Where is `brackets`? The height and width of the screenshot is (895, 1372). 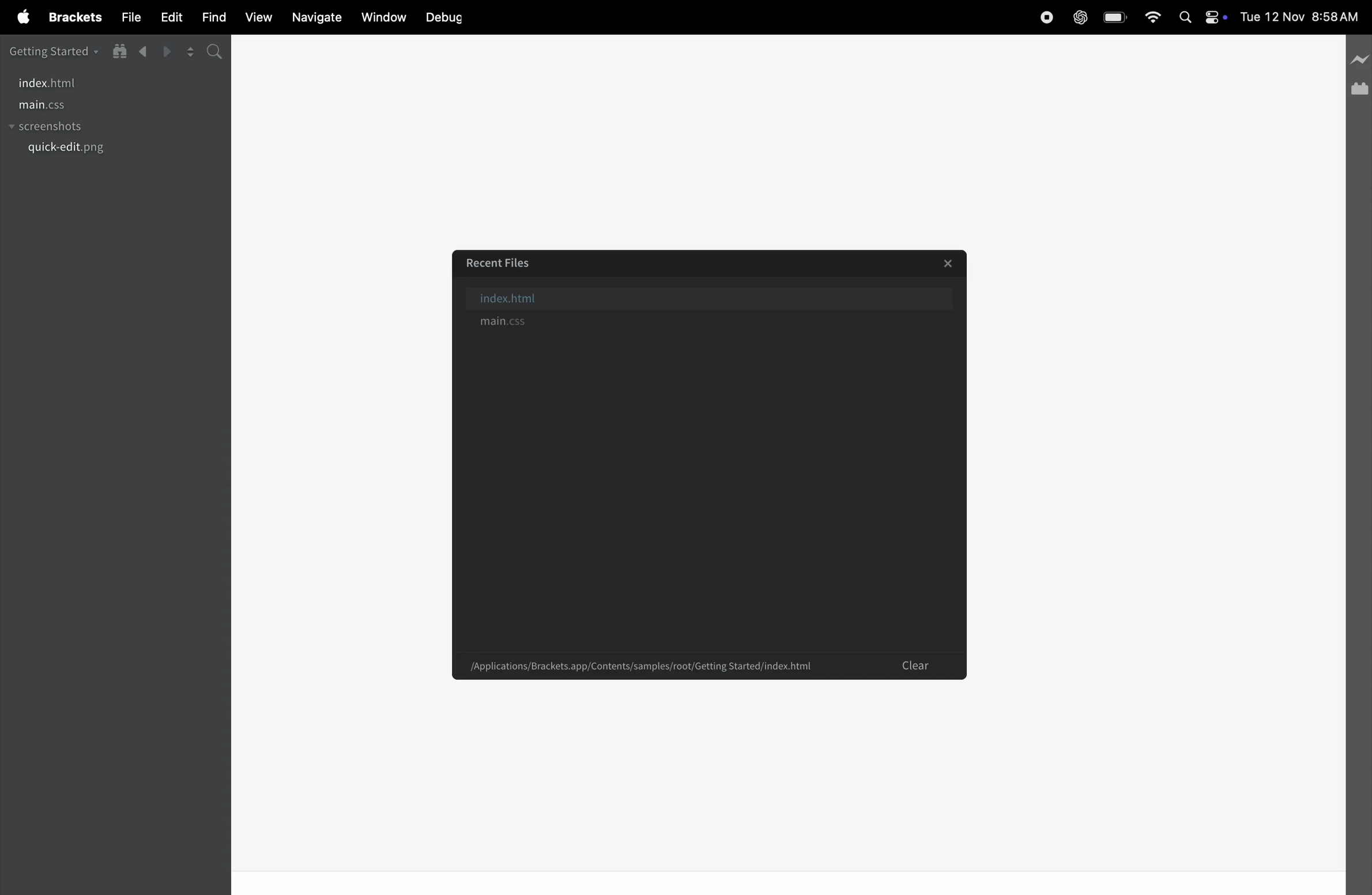 brackets is located at coordinates (71, 18).